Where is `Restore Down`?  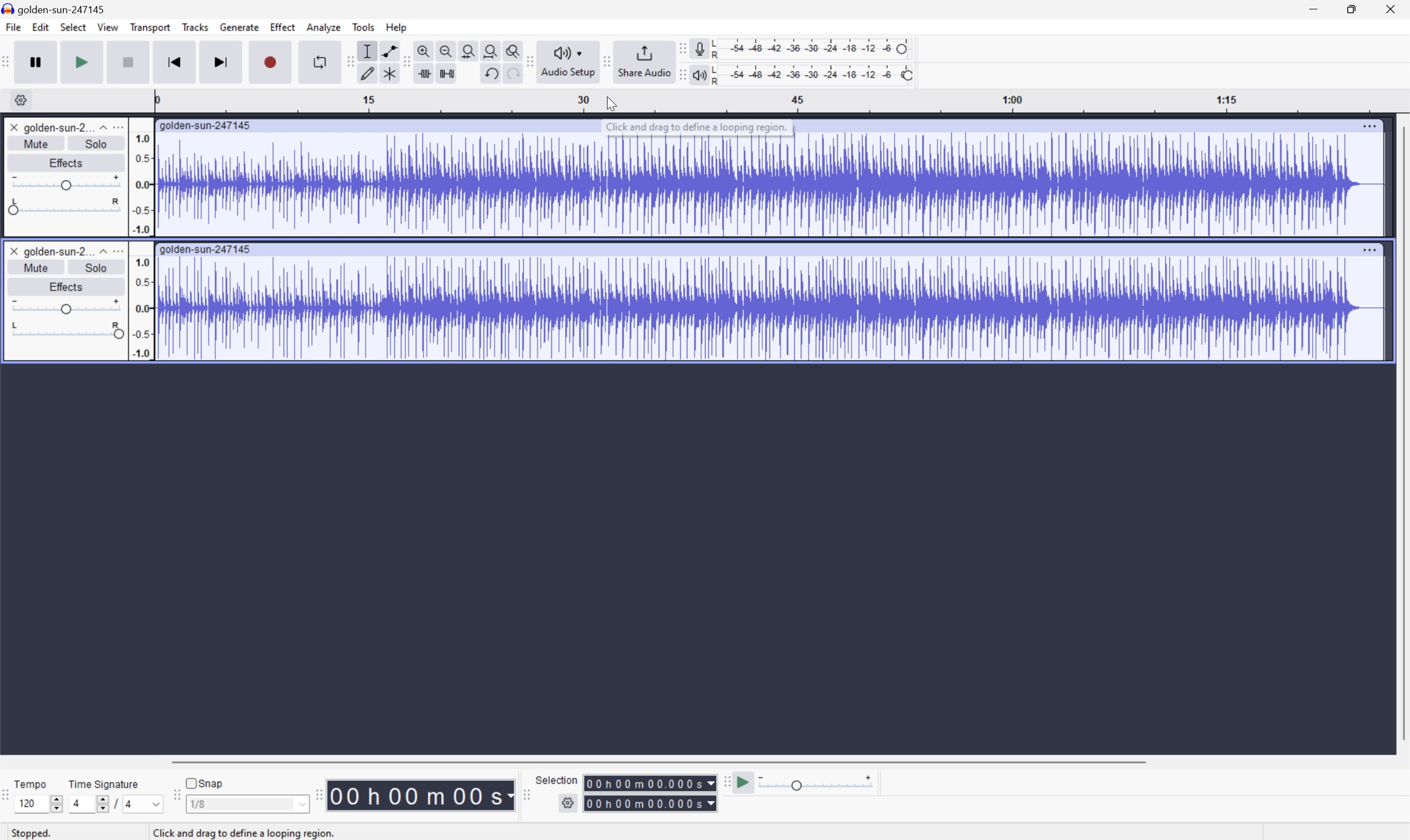
Restore Down is located at coordinates (1351, 8).